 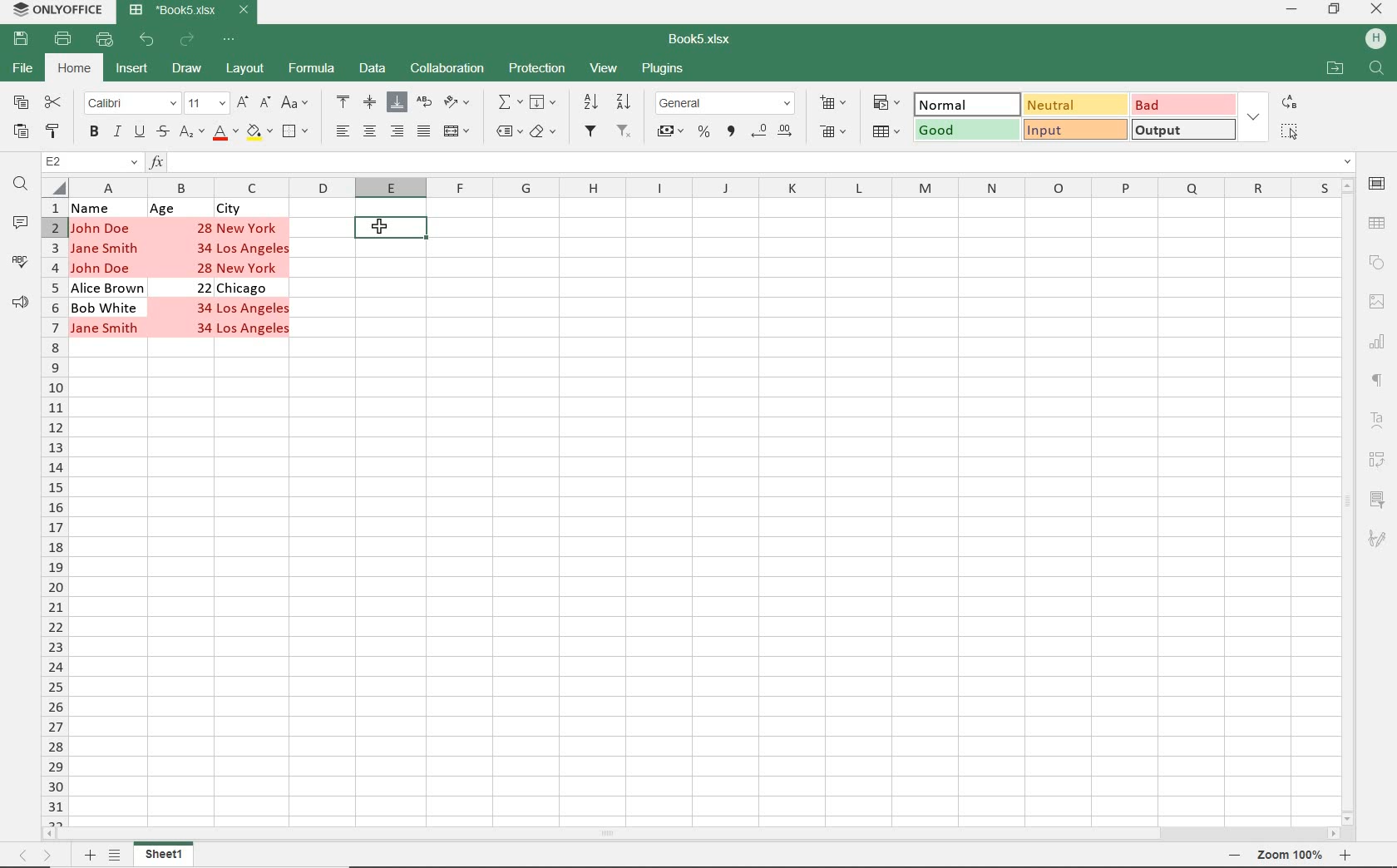 What do you see at coordinates (731, 131) in the screenshot?
I see `COMMA STYLE` at bounding box center [731, 131].